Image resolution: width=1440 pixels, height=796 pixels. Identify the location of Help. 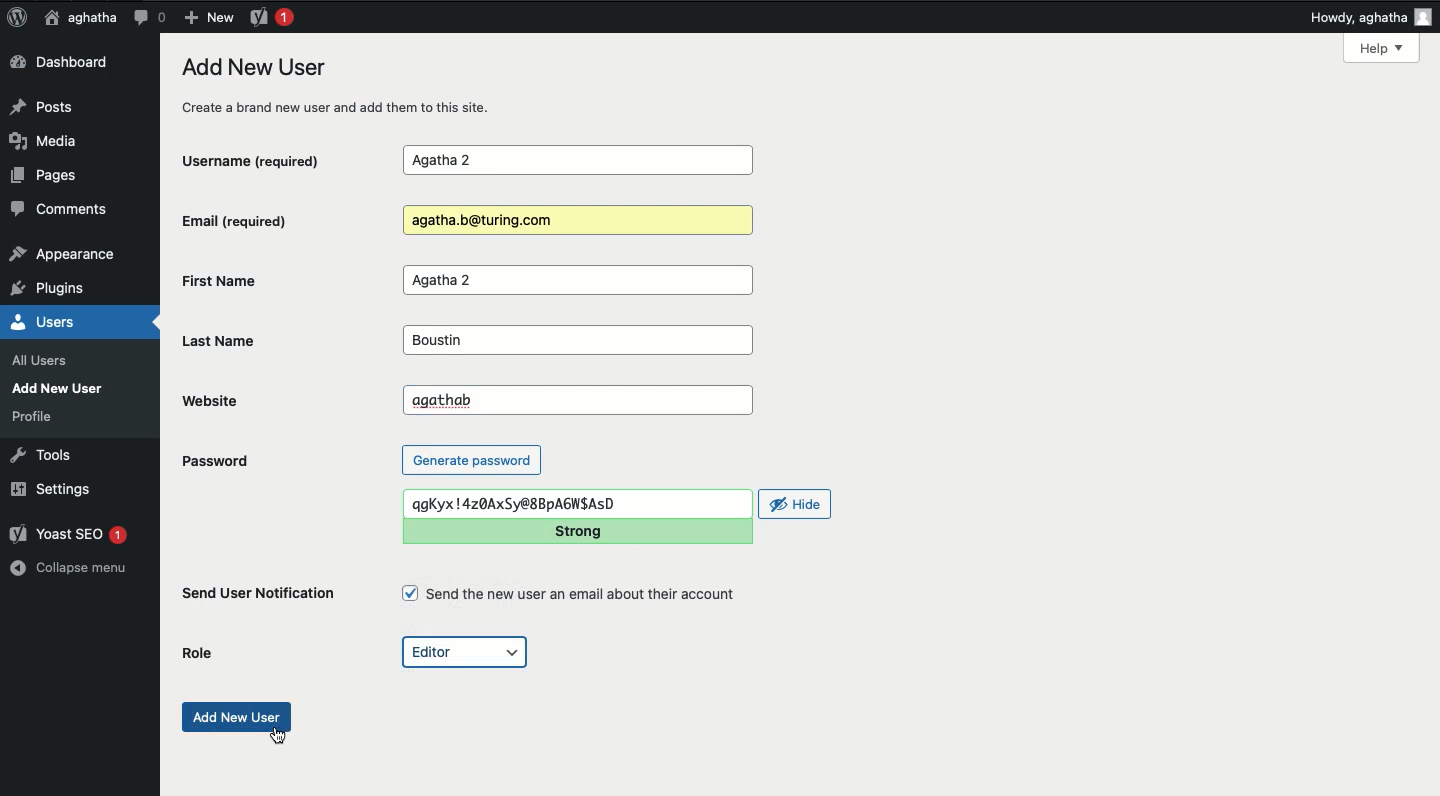
(1381, 48).